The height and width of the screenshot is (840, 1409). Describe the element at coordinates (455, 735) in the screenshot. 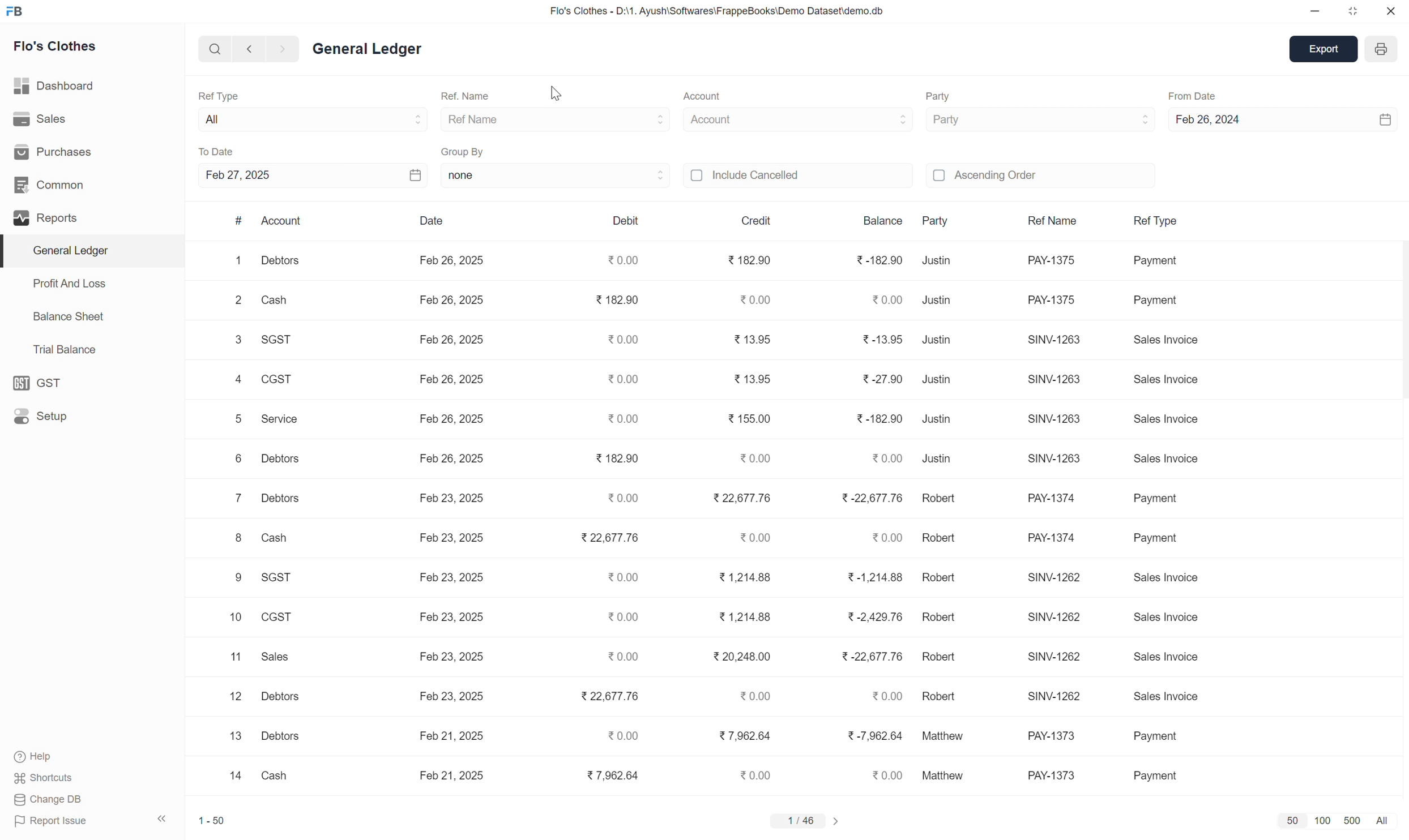

I see `feb 26, 2025` at that location.